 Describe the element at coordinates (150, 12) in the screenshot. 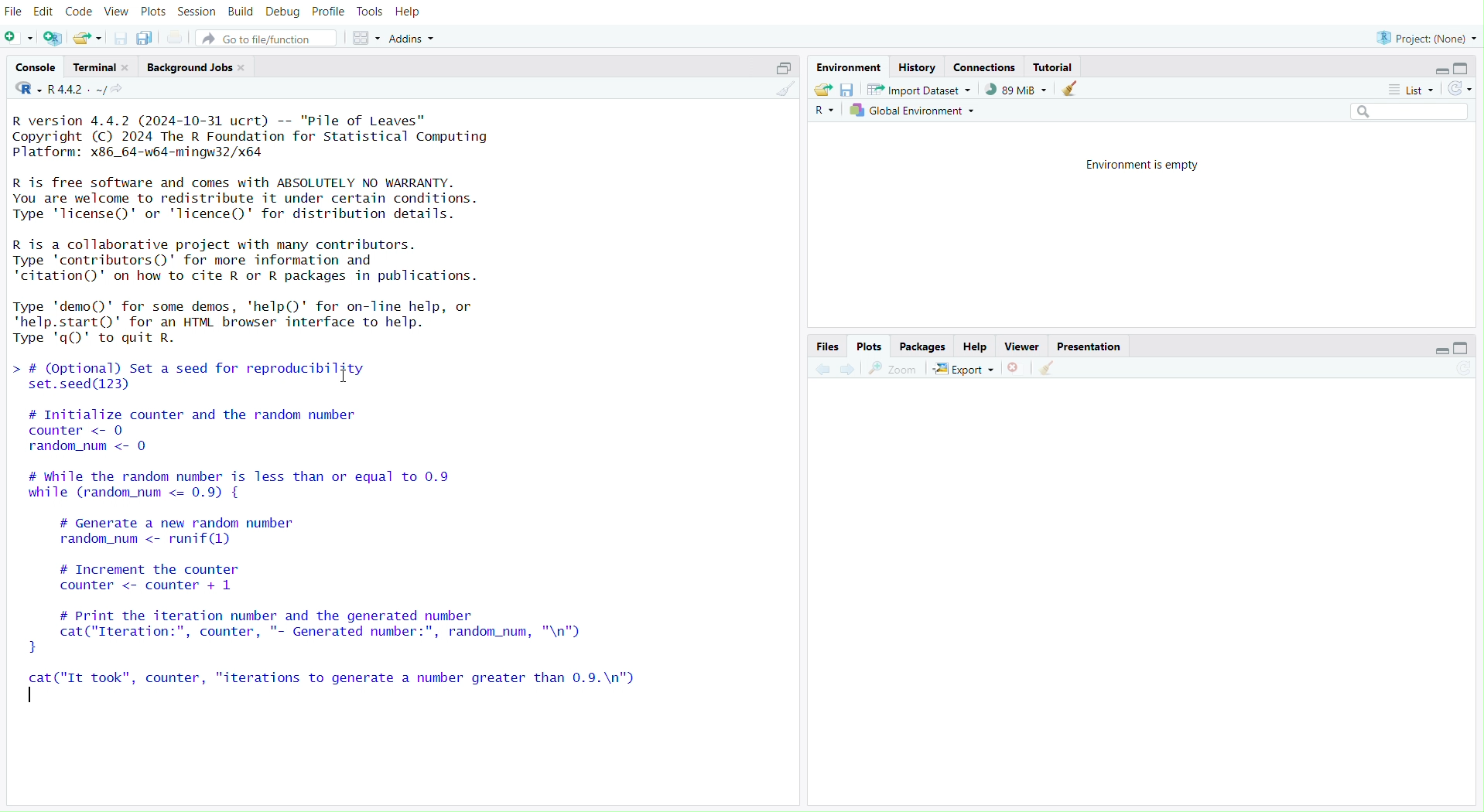

I see `Plots` at that location.